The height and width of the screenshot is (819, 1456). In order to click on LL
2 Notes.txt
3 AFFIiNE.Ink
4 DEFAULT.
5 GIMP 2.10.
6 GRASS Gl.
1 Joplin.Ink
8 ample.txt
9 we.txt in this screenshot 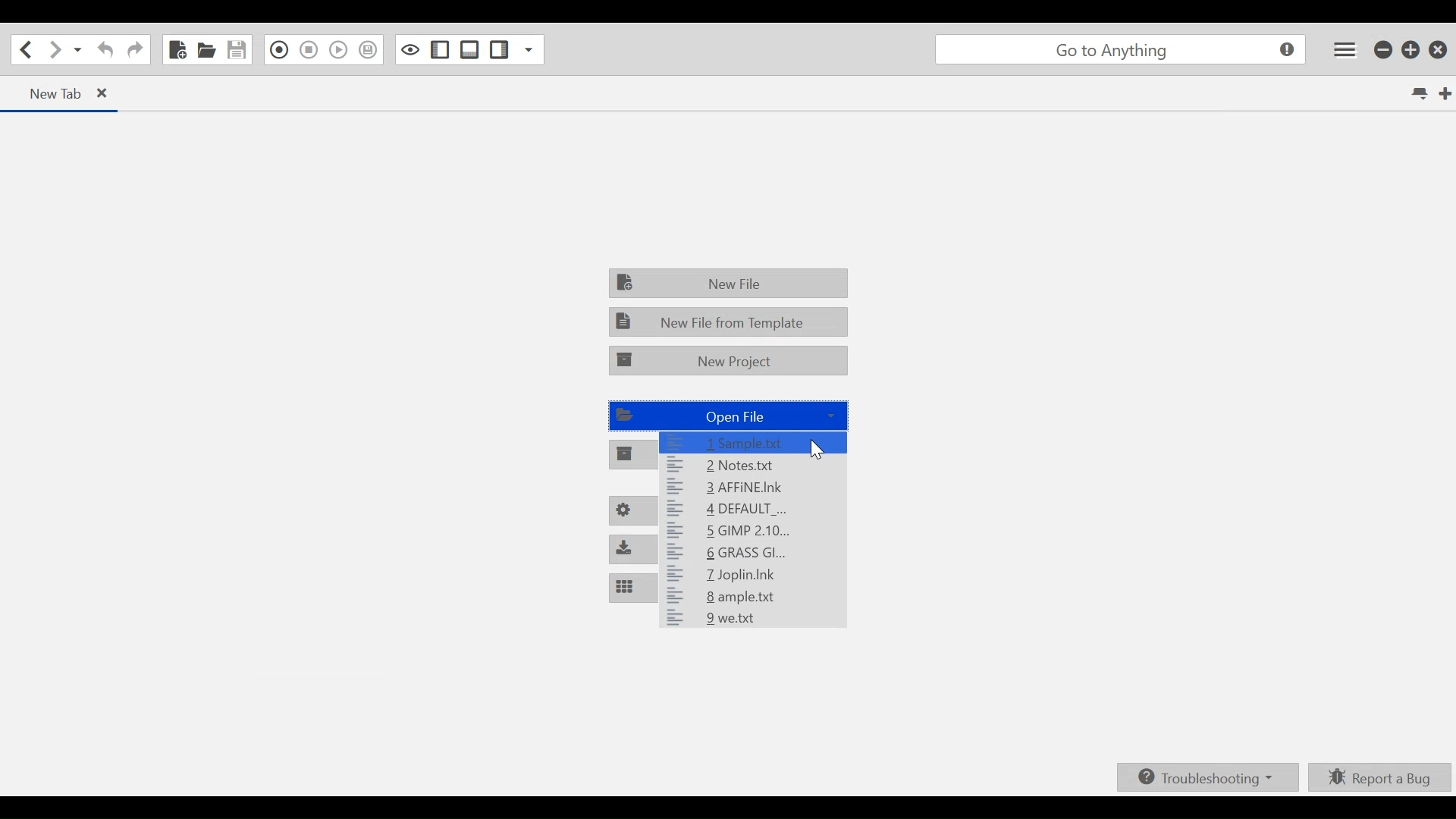, I will do `click(723, 532)`.